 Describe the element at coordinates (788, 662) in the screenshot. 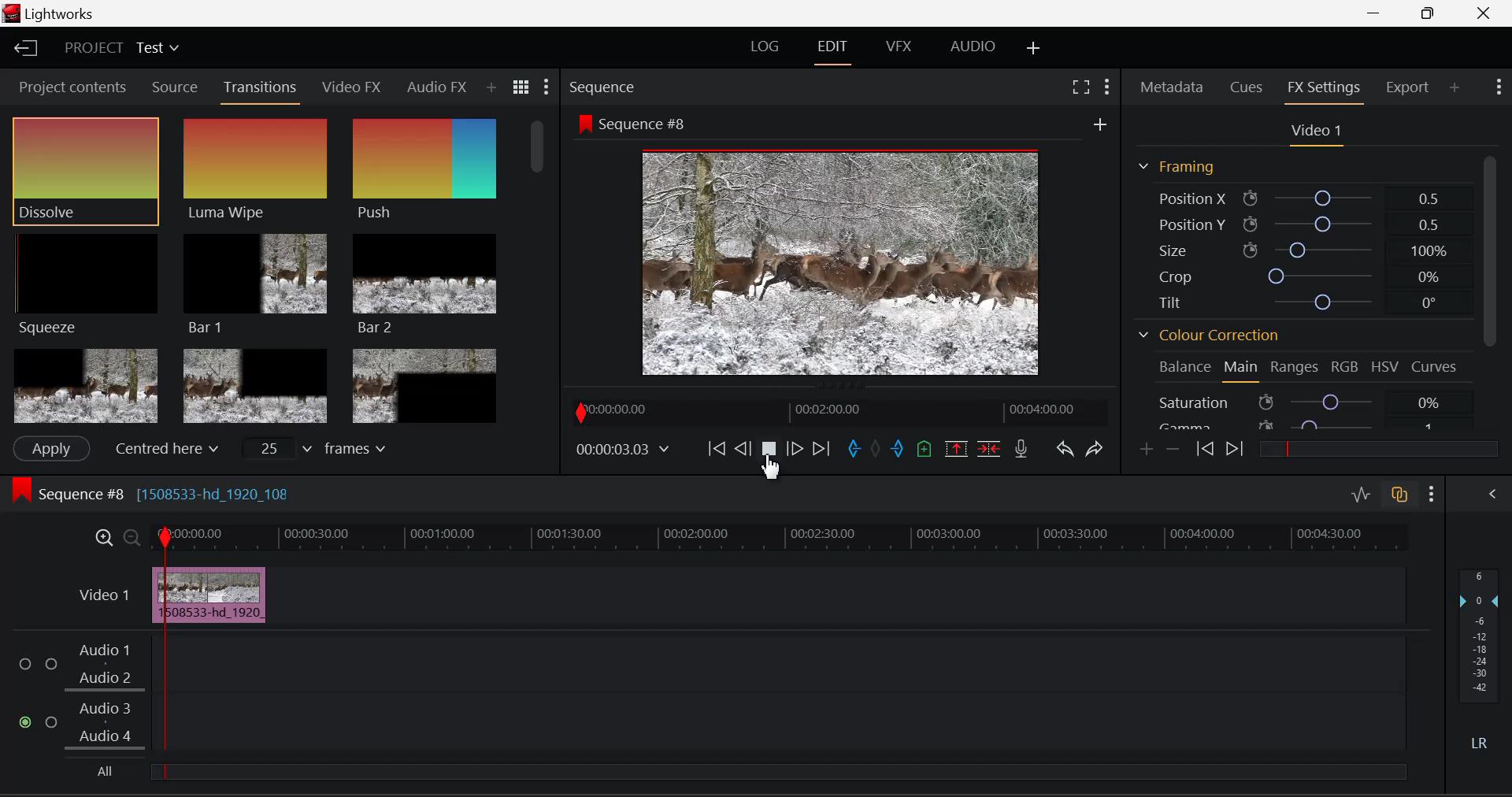

I see `Audio Input Field` at that location.